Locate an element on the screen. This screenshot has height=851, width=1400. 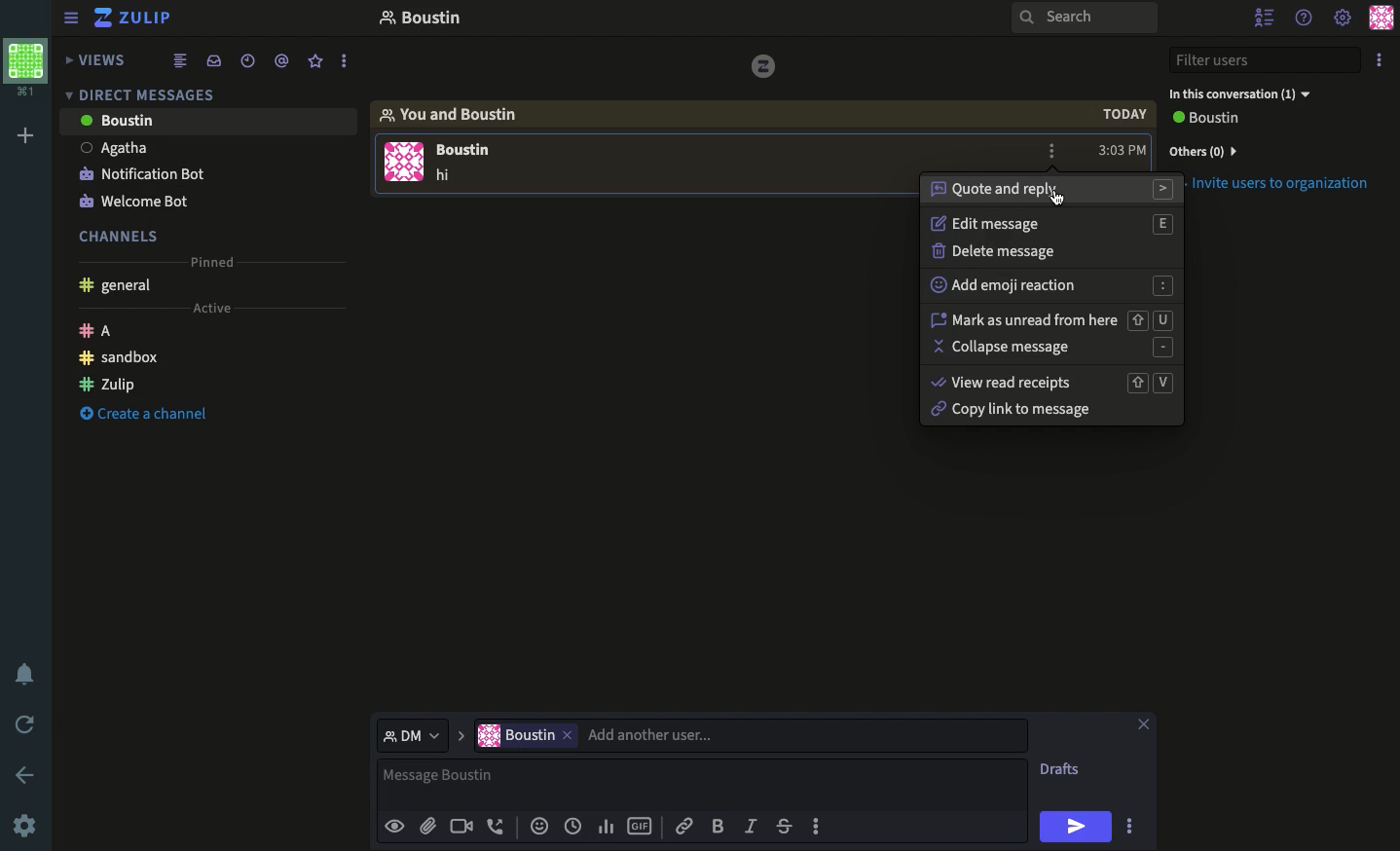
Options is located at coordinates (1381, 62).